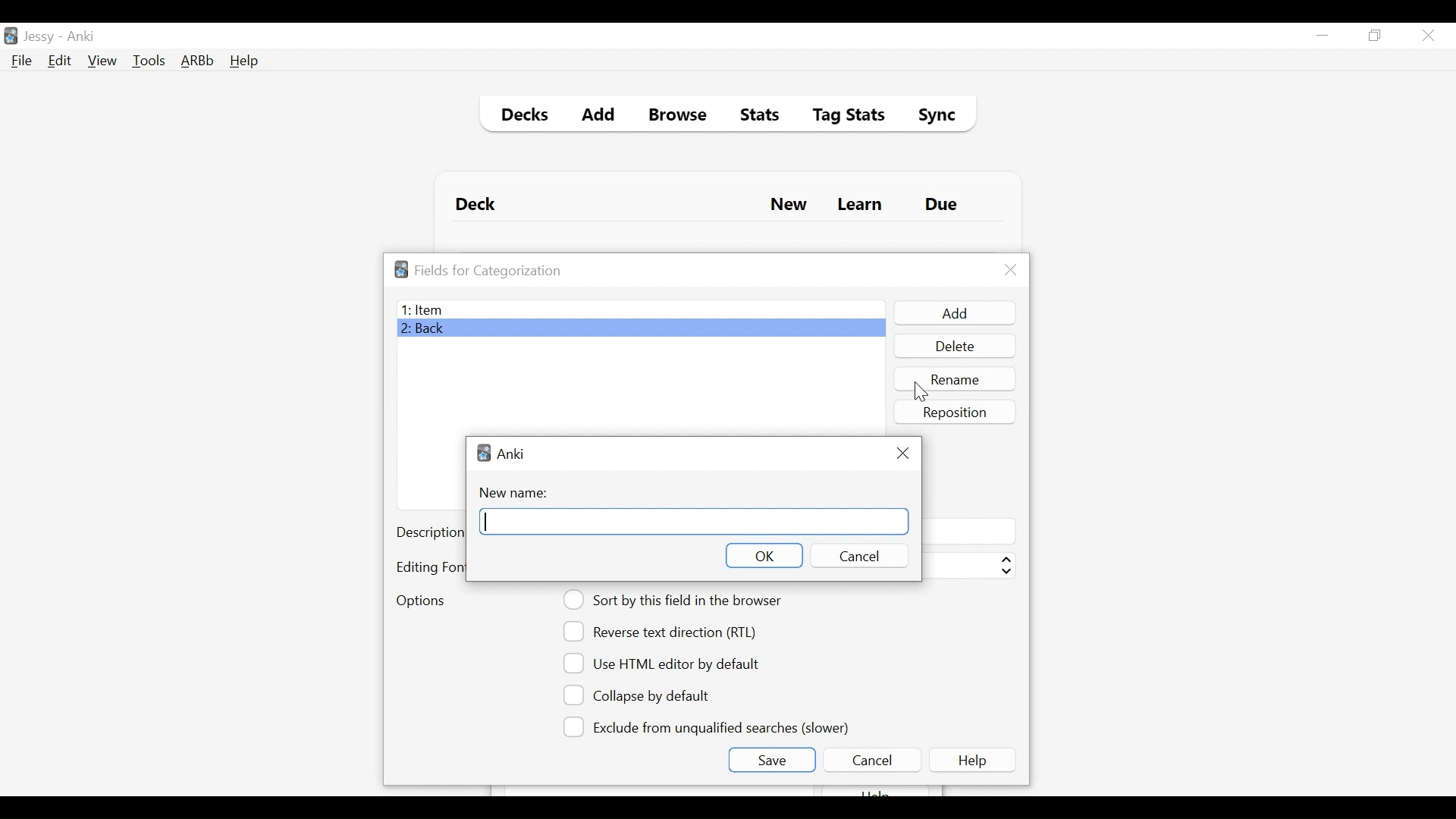 This screenshot has width=1456, height=819. What do you see at coordinates (956, 412) in the screenshot?
I see `Reposition` at bounding box center [956, 412].